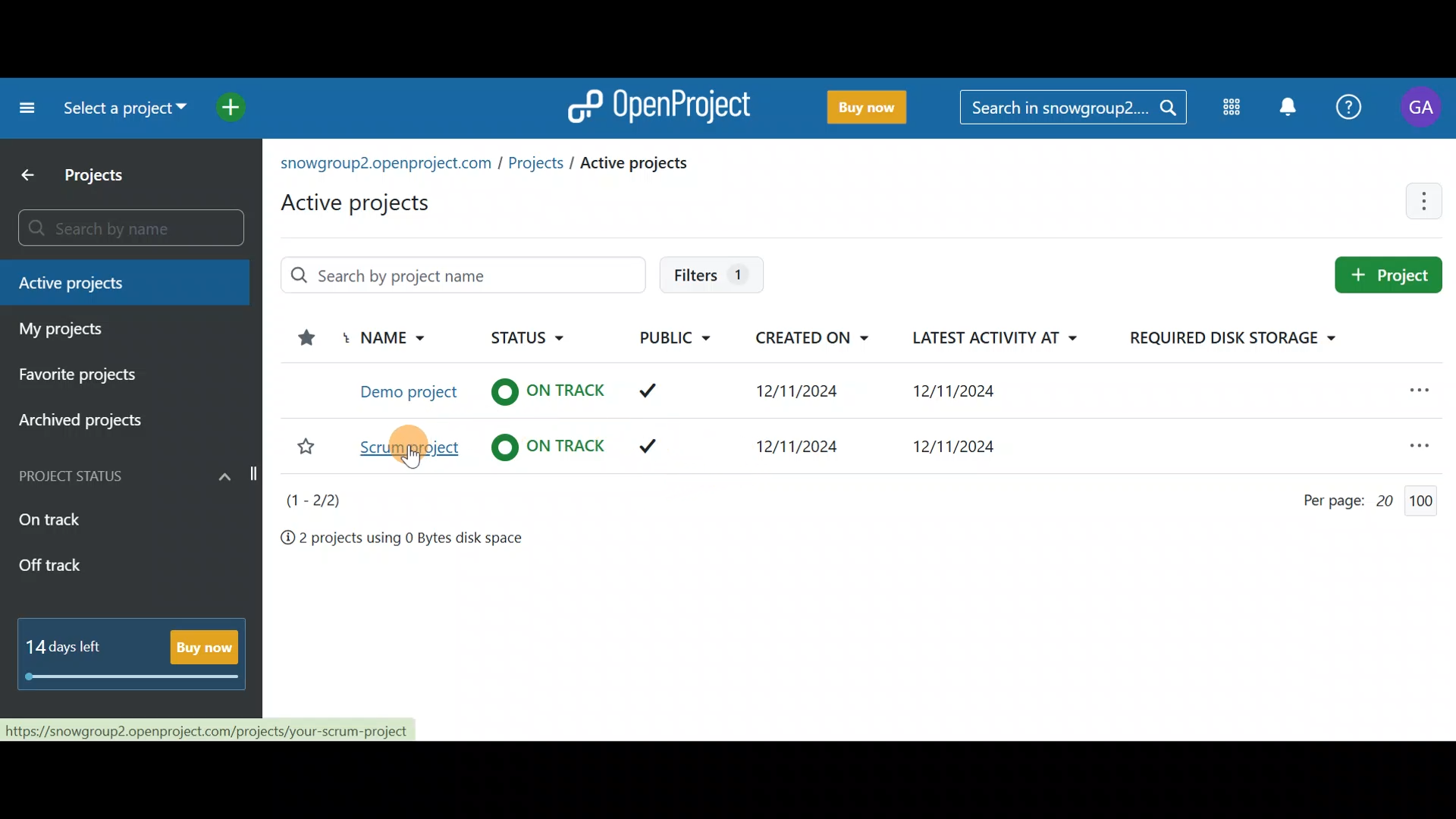  What do you see at coordinates (130, 474) in the screenshot?
I see `Project status` at bounding box center [130, 474].